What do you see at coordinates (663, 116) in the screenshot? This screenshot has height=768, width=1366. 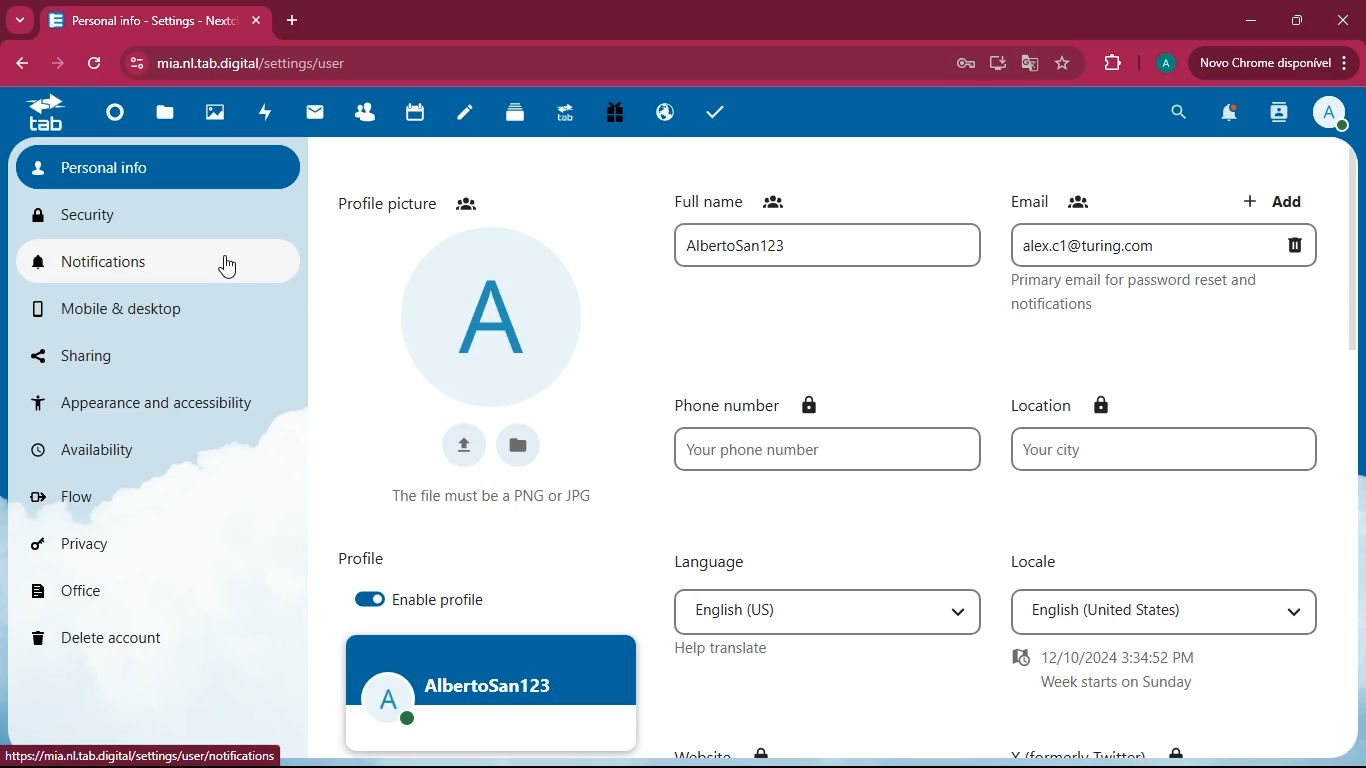 I see `public` at bounding box center [663, 116].